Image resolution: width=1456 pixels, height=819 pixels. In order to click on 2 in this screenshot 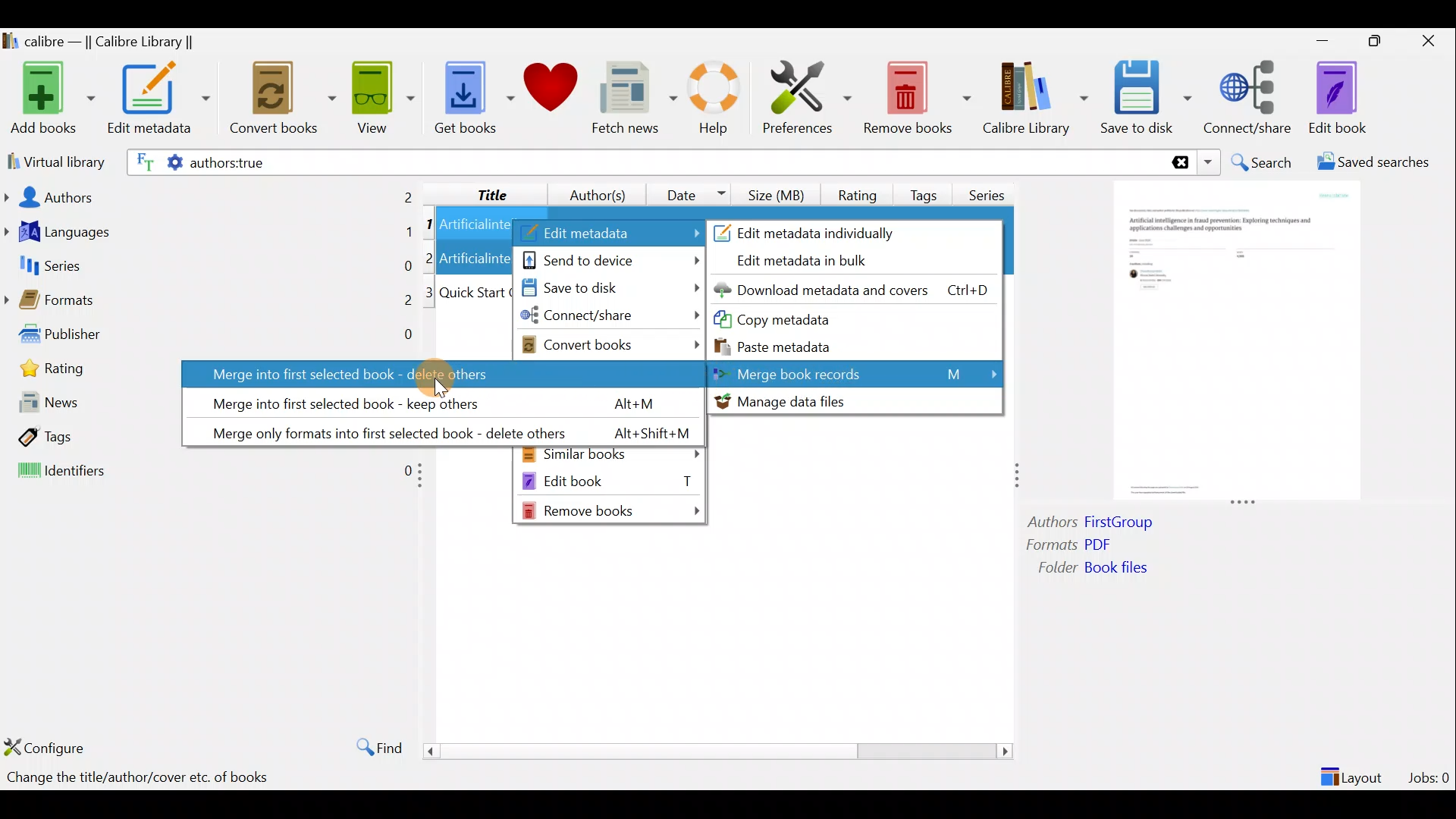, I will do `click(431, 257)`.